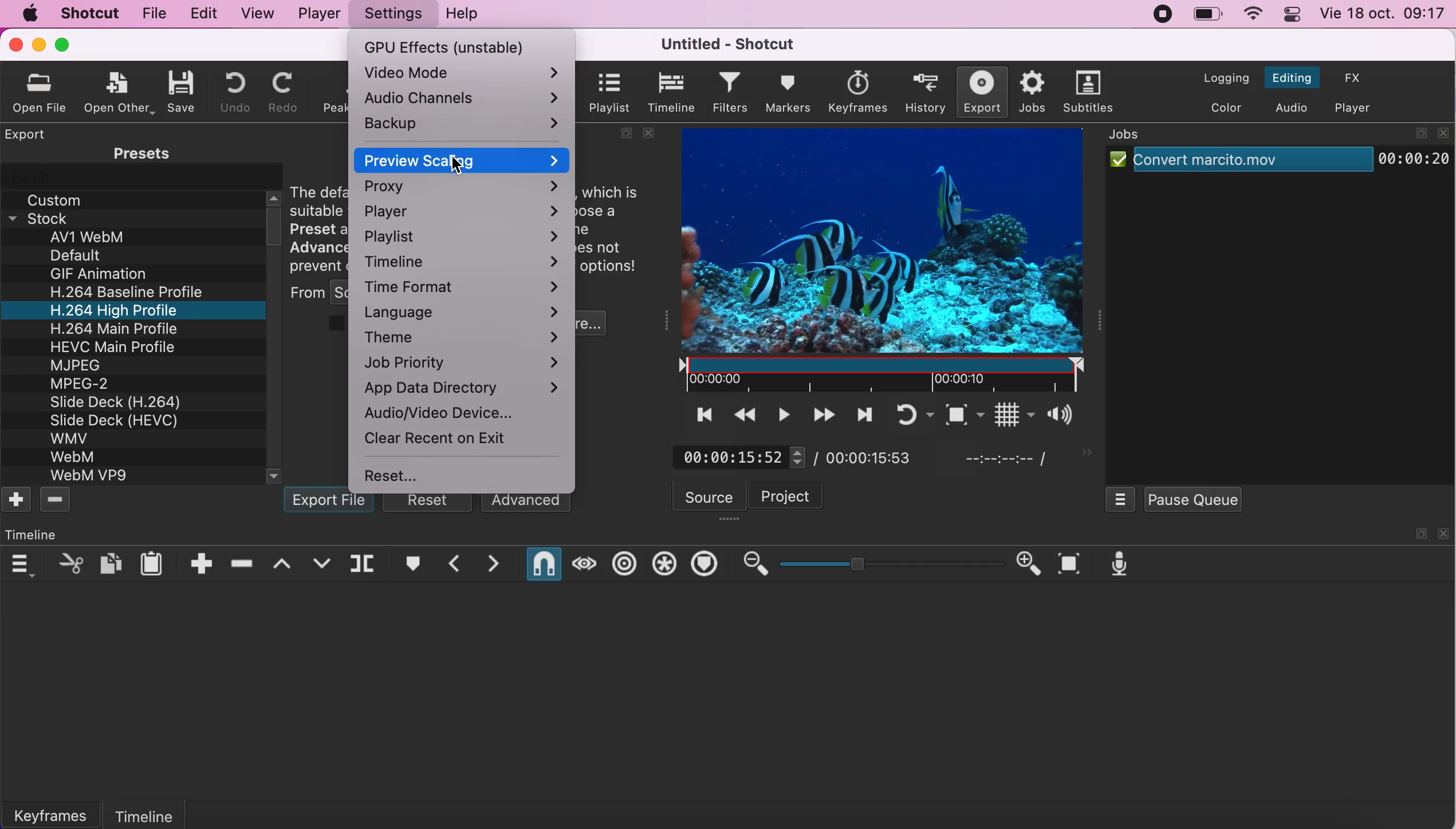  What do you see at coordinates (799, 495) in the screenshot?
I see `project` at bounding box center [799, 495].